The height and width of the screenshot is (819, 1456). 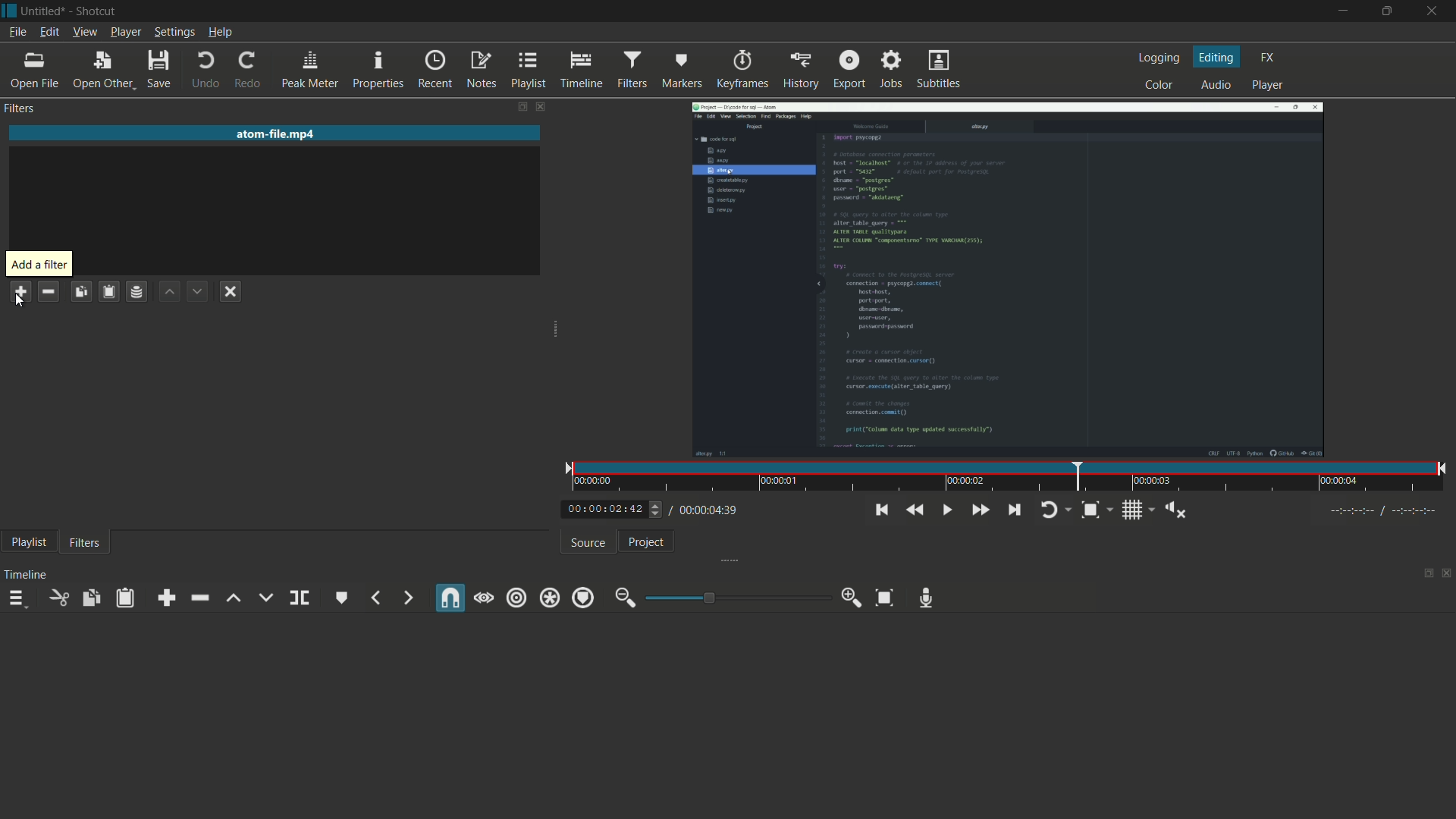 I want to click on save, so click(x=158, y=72).